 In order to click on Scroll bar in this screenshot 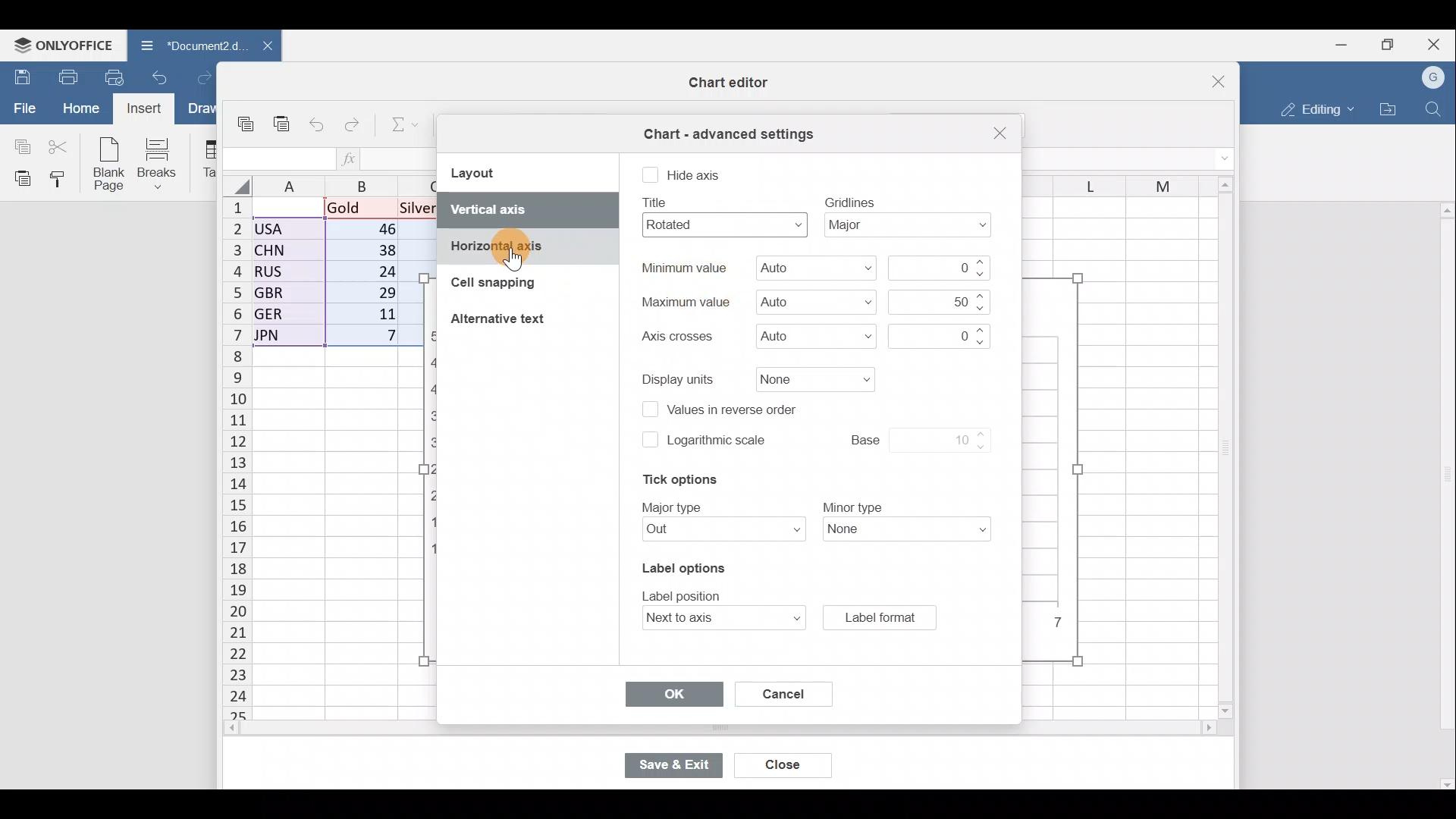, I will do `click(1444, 495)`.